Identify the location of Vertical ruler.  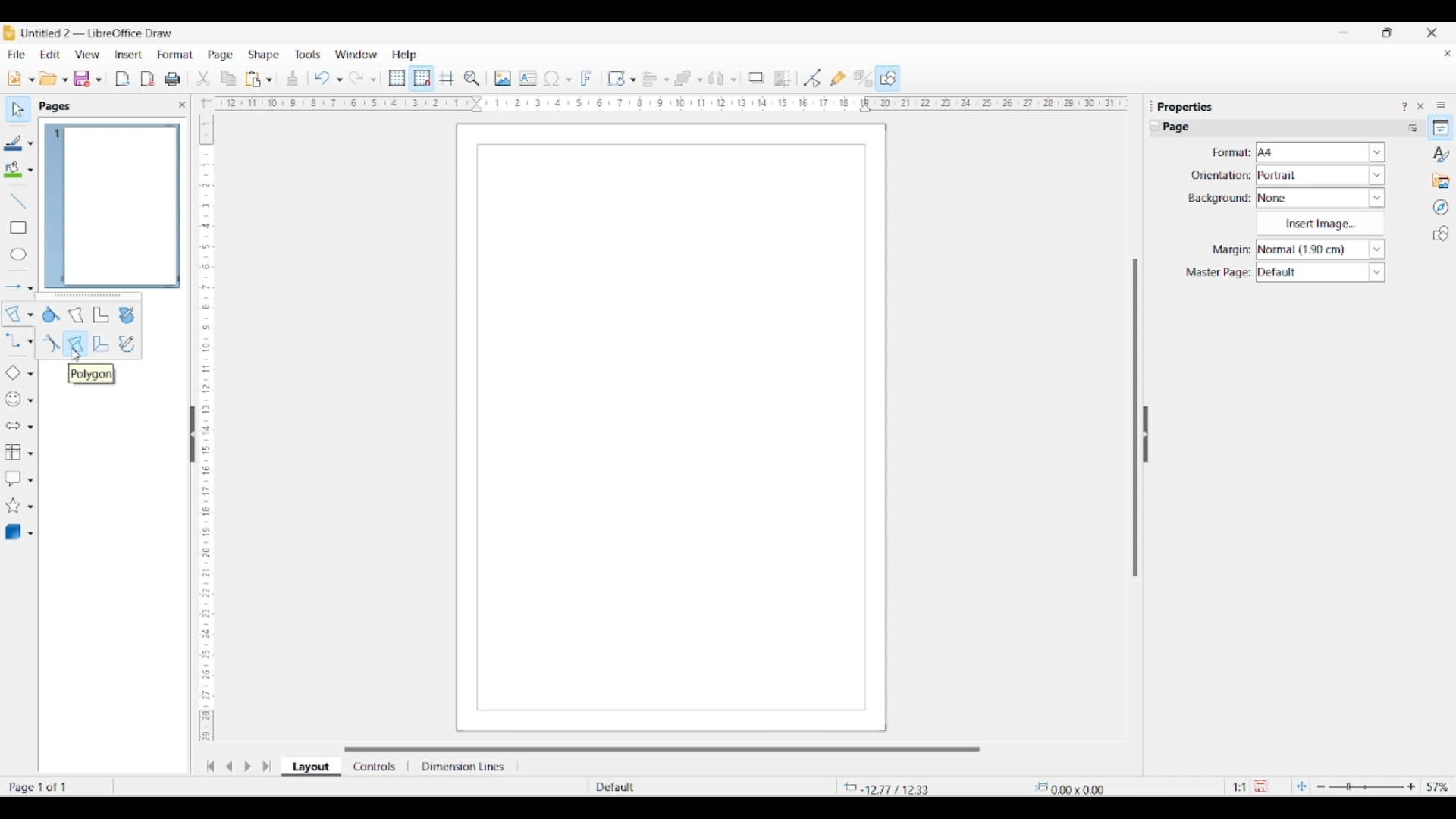
(204, 421).